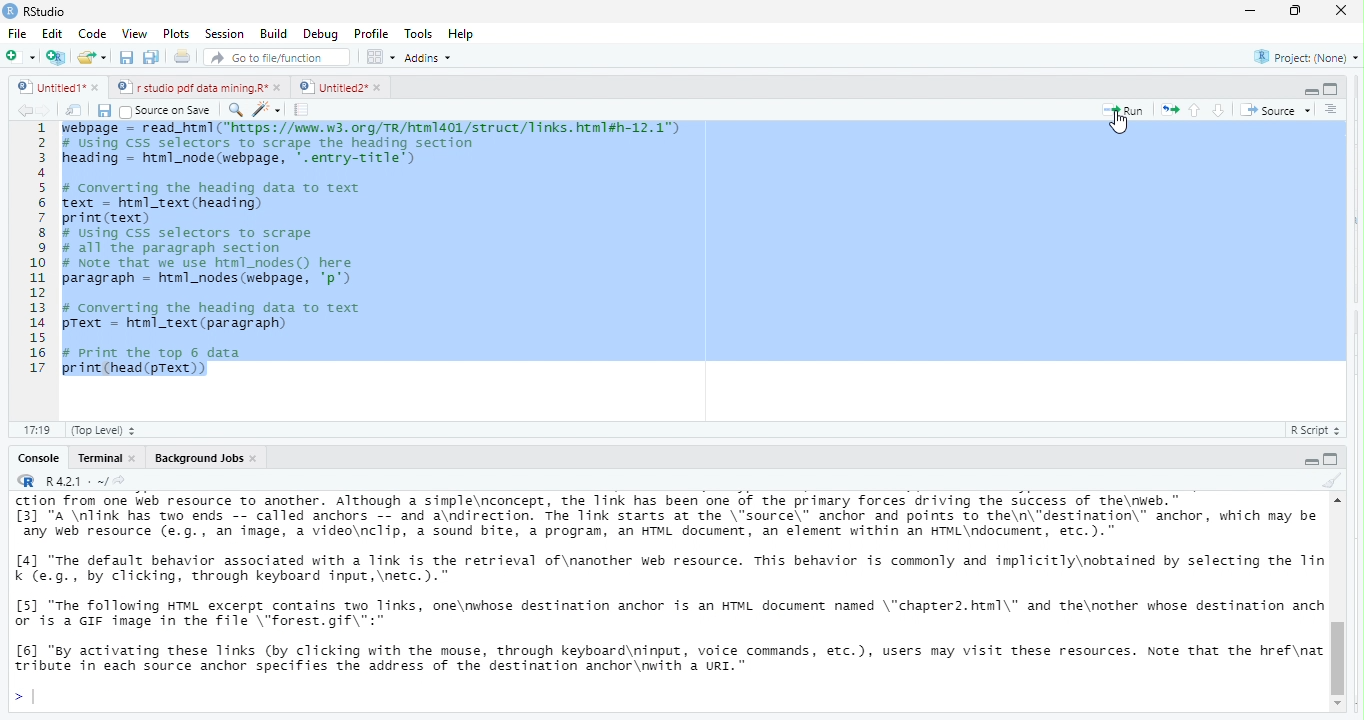 The width and height of the screenshot is (1364, 720). Describe the element at coordinates (93, 35) in the screenshot. I see `code` at that location.